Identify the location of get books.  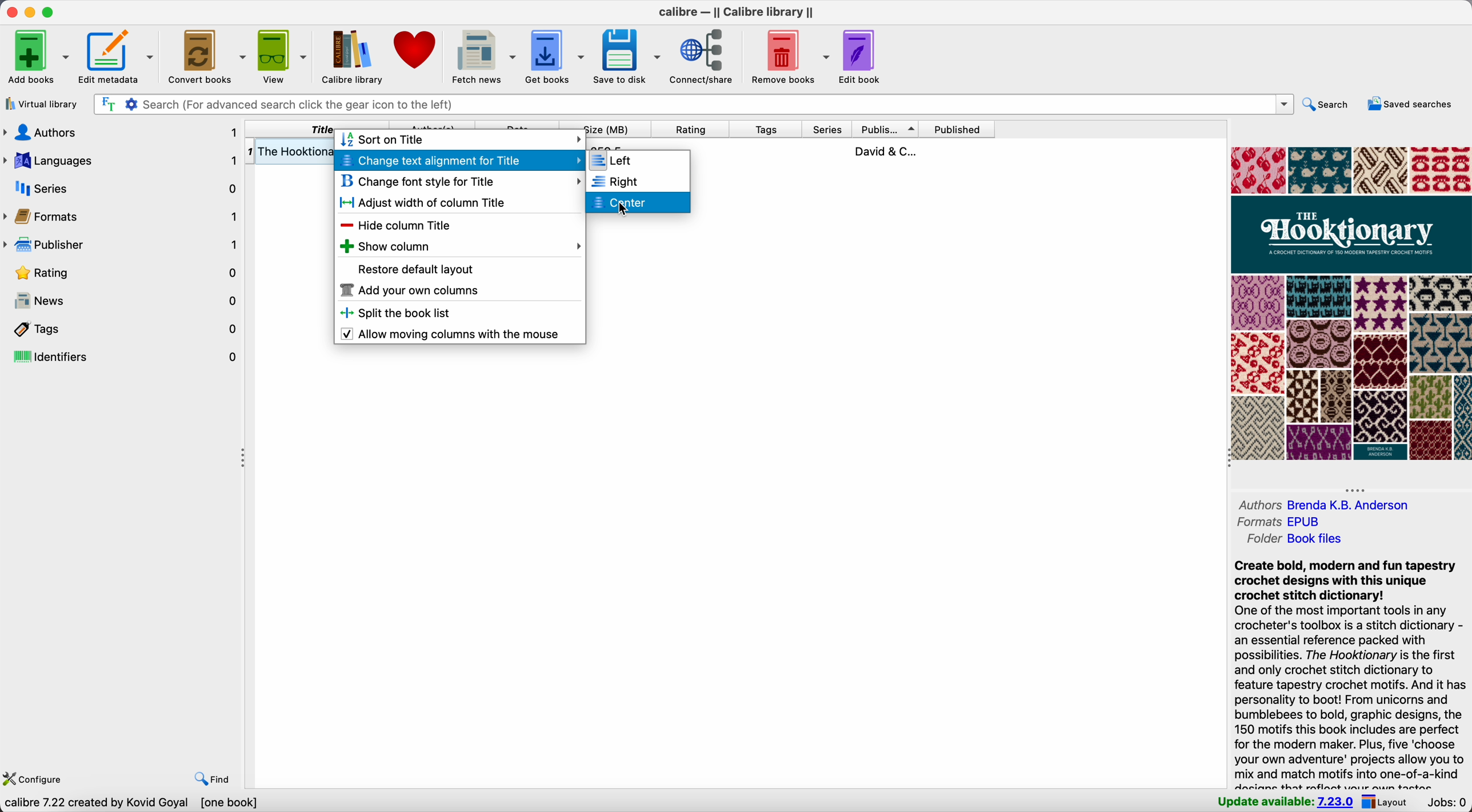
(557, 58).